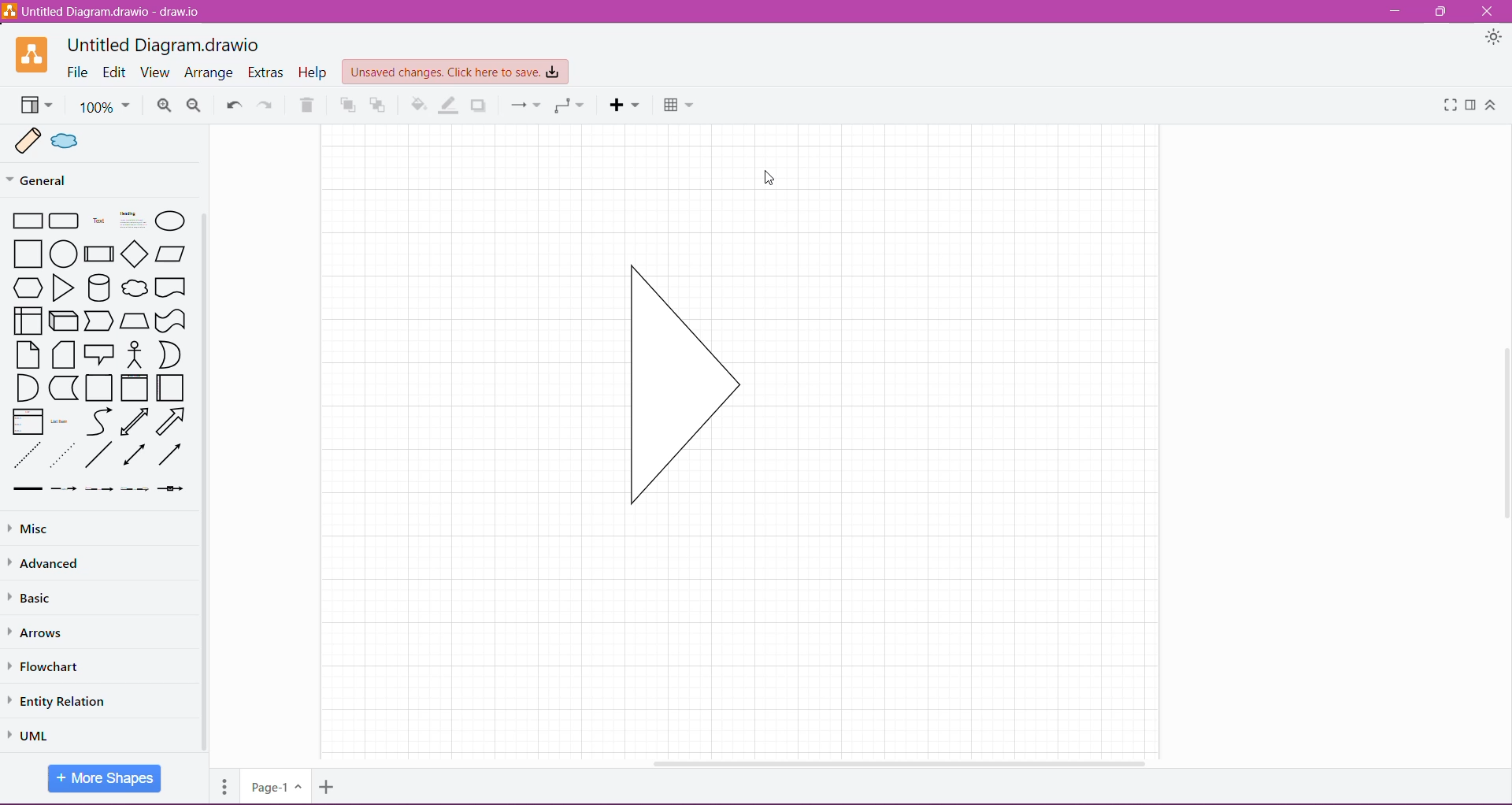  What do you see at coordinates (891, 759) in the screenshot?
I see `Horizontal Scroll Bar` at bounding box center [891, 759].